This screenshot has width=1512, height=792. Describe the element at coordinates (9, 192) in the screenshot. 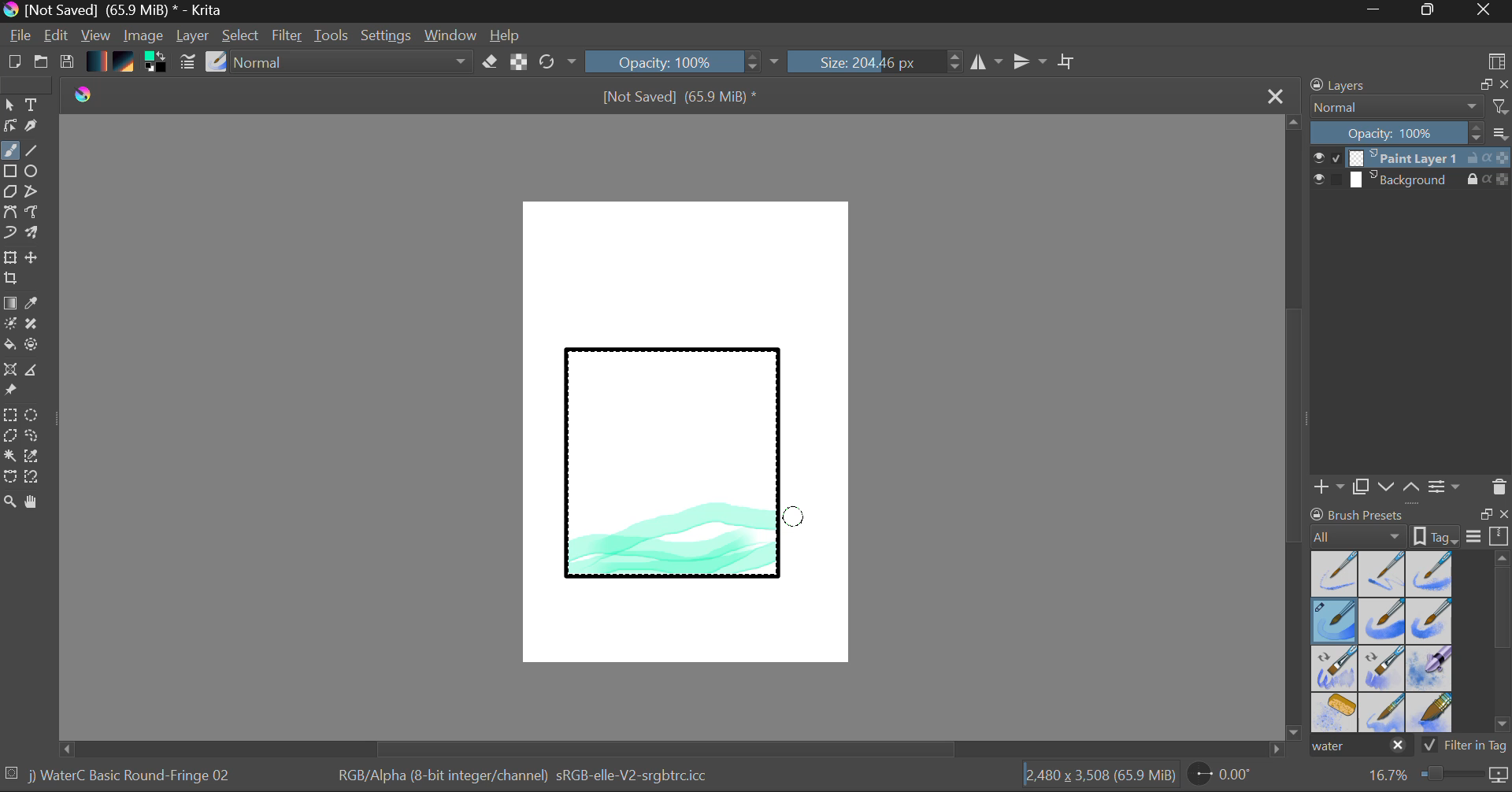

I see `Polygon` at that location.